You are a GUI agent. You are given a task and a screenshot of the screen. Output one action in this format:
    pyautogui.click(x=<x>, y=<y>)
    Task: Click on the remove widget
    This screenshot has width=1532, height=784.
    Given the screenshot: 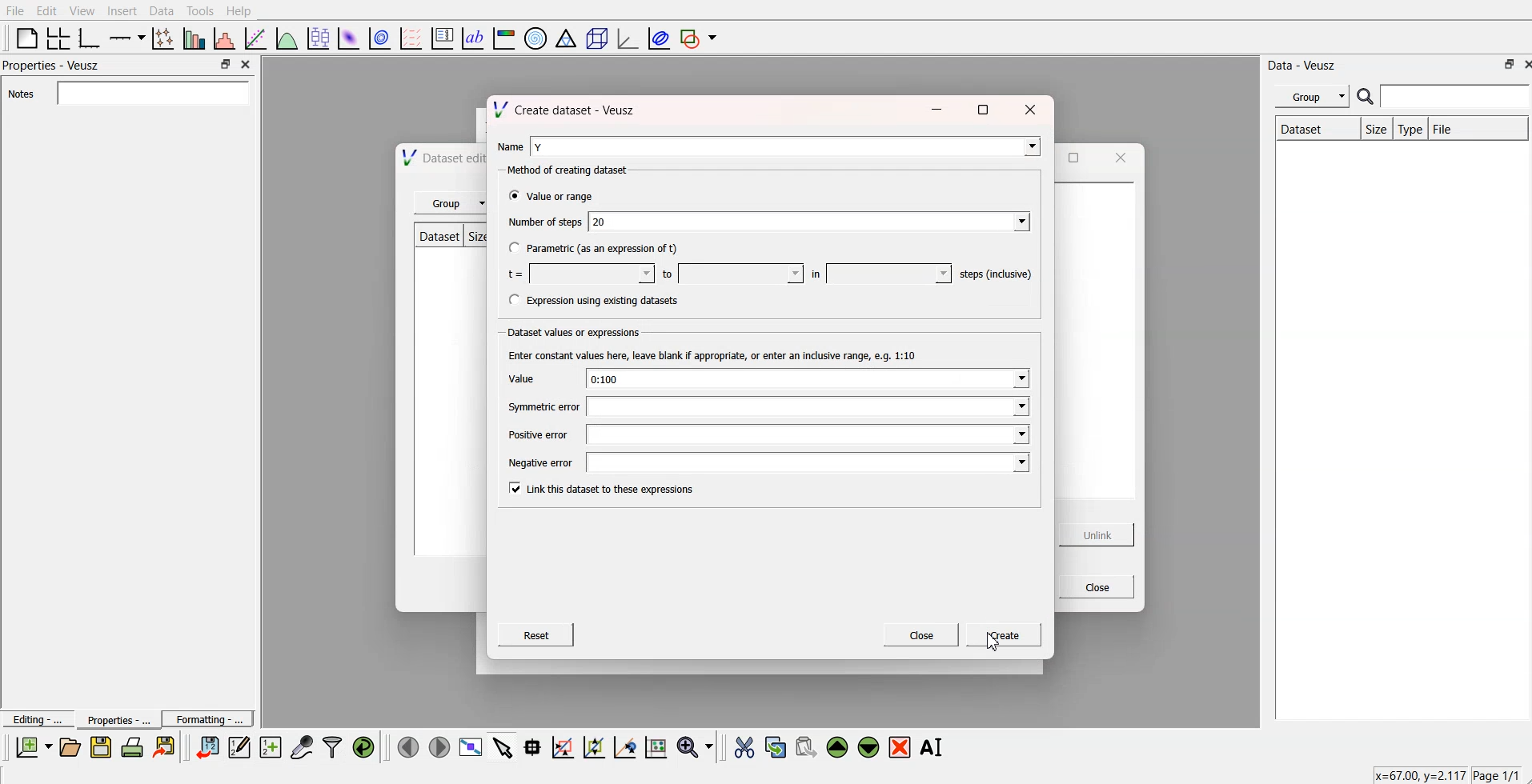 What is the action you would take?
    pyautogui.click(x=900, y=746)
    